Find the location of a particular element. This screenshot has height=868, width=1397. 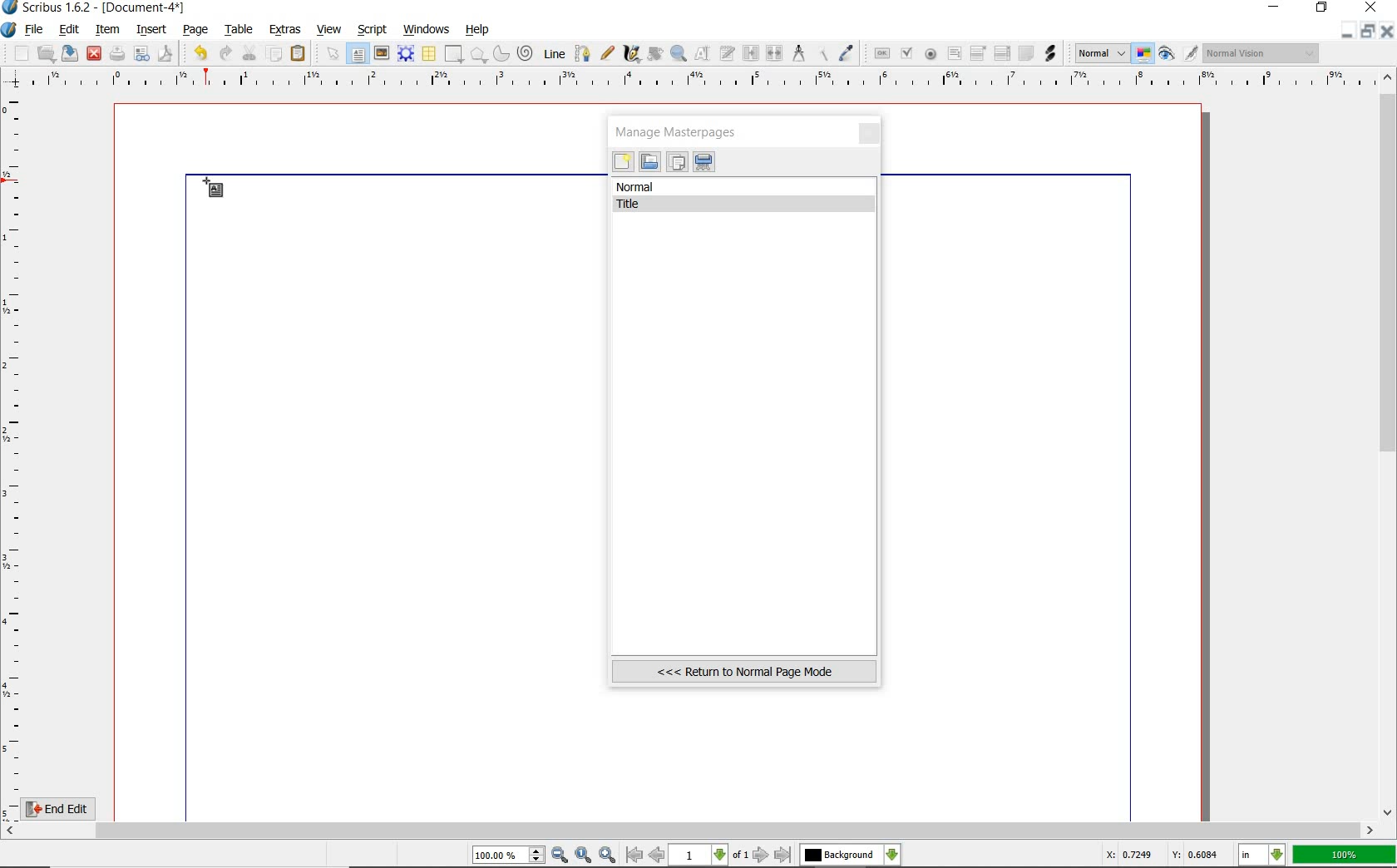

line is located at coordinates (553, 53).